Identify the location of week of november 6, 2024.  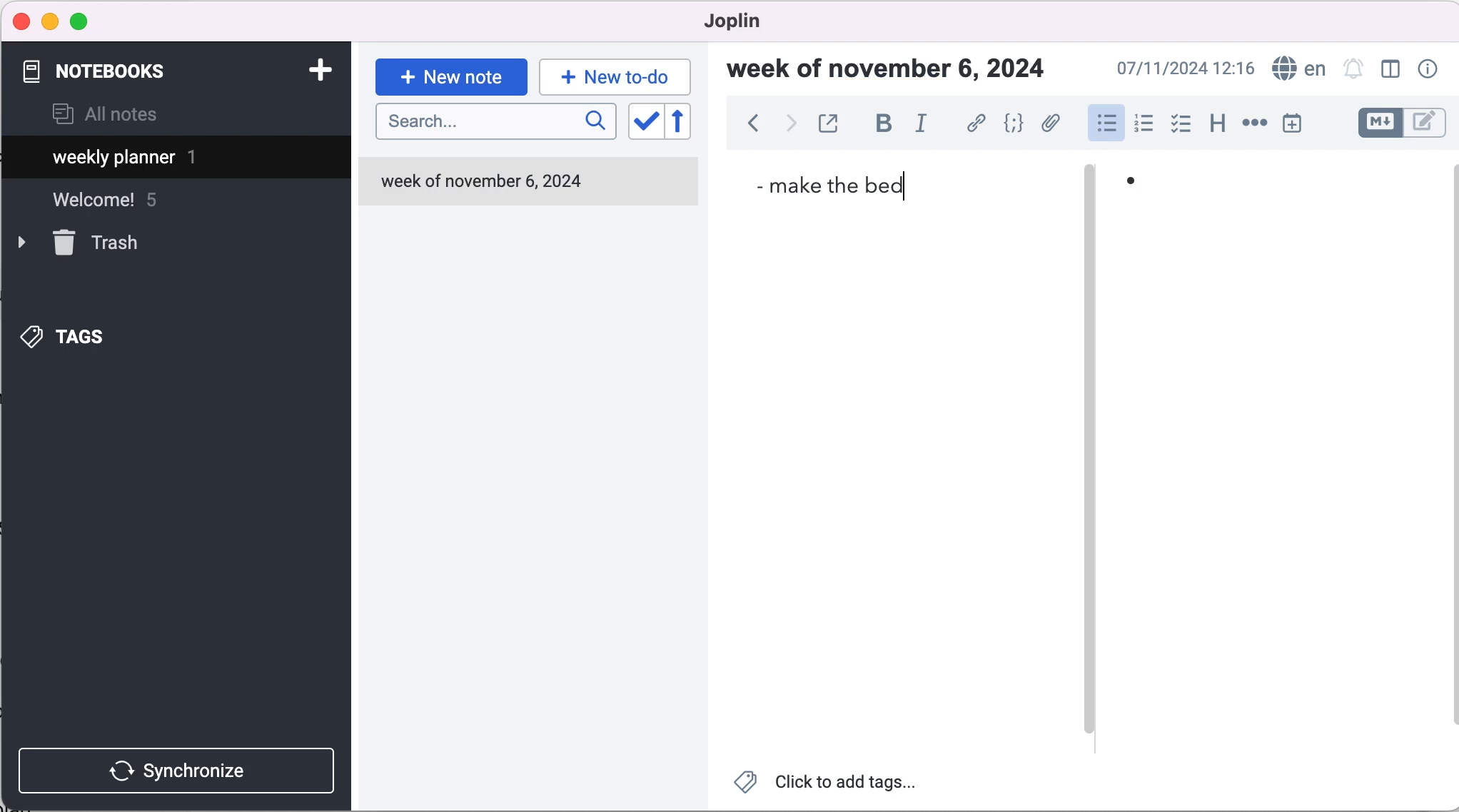
(894, 71).